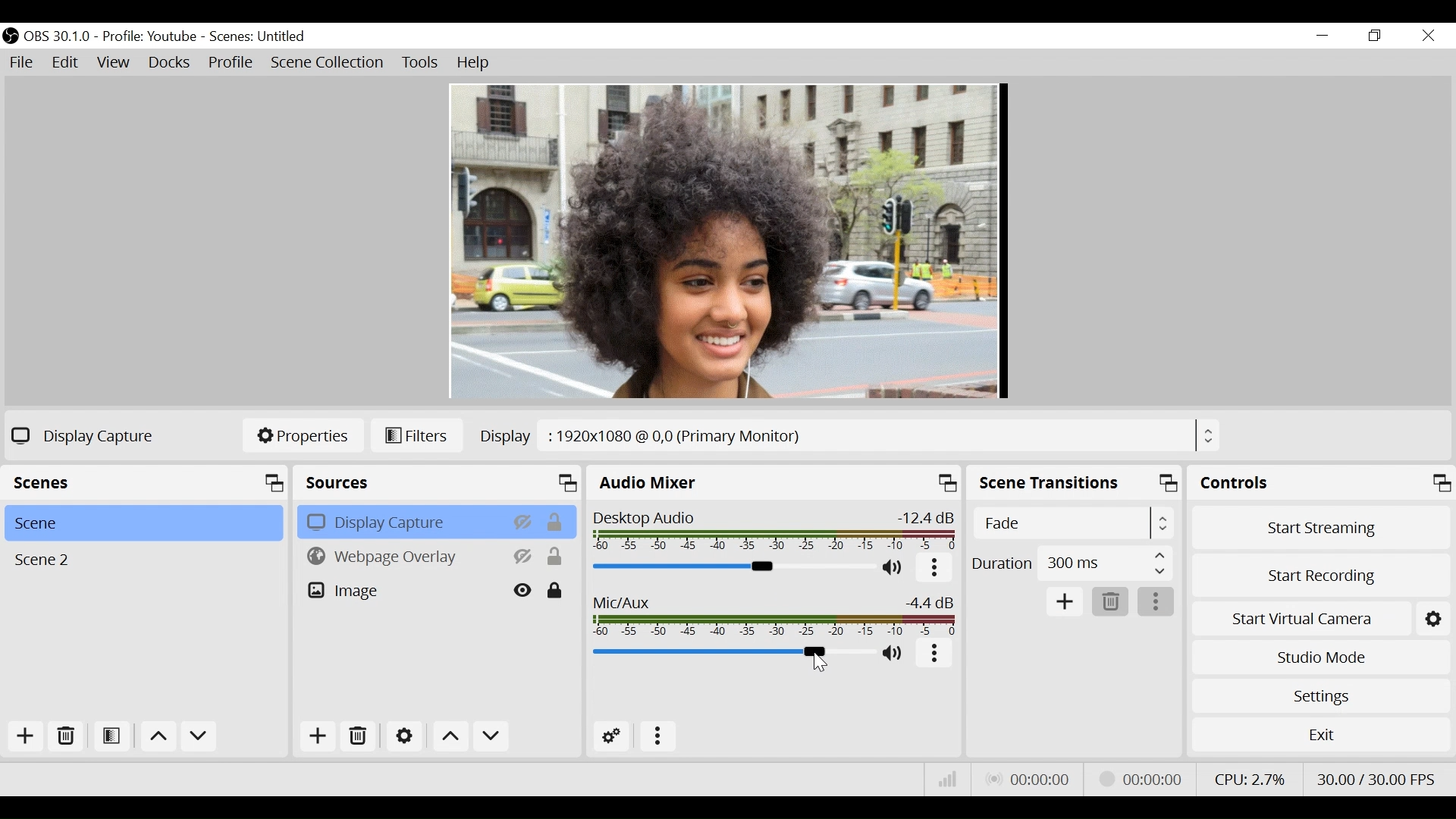  Describe the element at coordinates (1031, 777) in the screenshot. I see `Live Status` at that location.